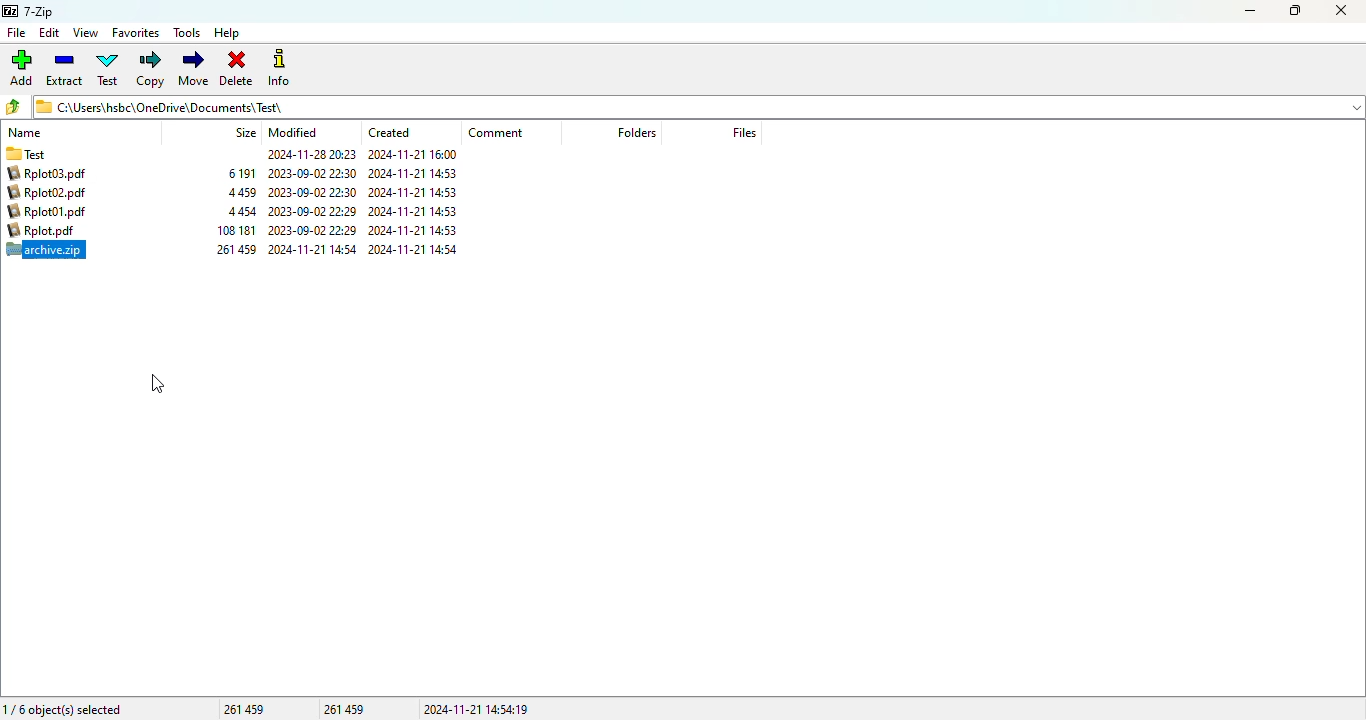  What do you see at coordinates (312, 250) in the screenshot?
I see `2023-09-02 22:30` at bounding box center [312, 250].